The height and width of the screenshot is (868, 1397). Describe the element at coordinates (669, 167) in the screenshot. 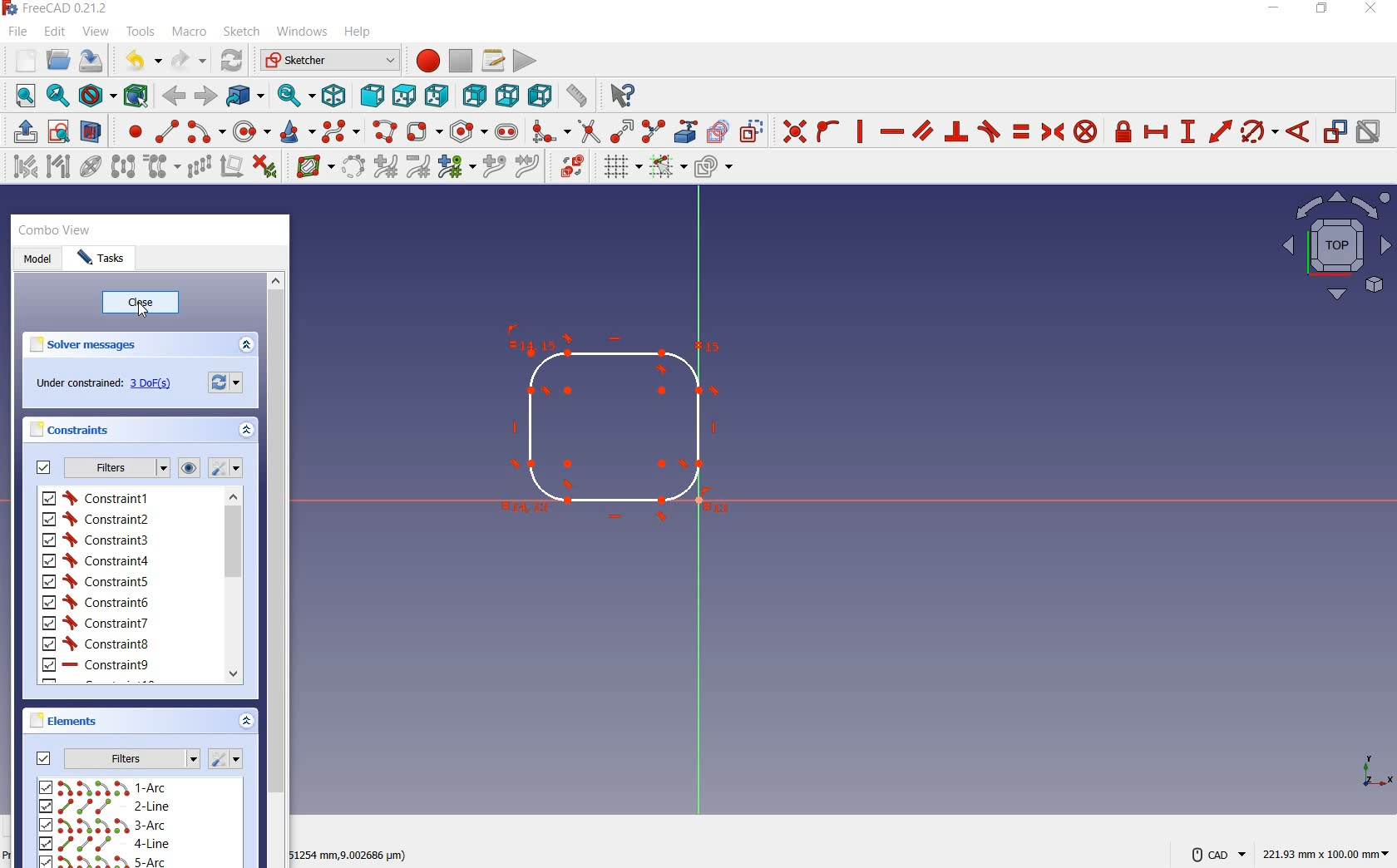

I see `toggle snap` at that location.